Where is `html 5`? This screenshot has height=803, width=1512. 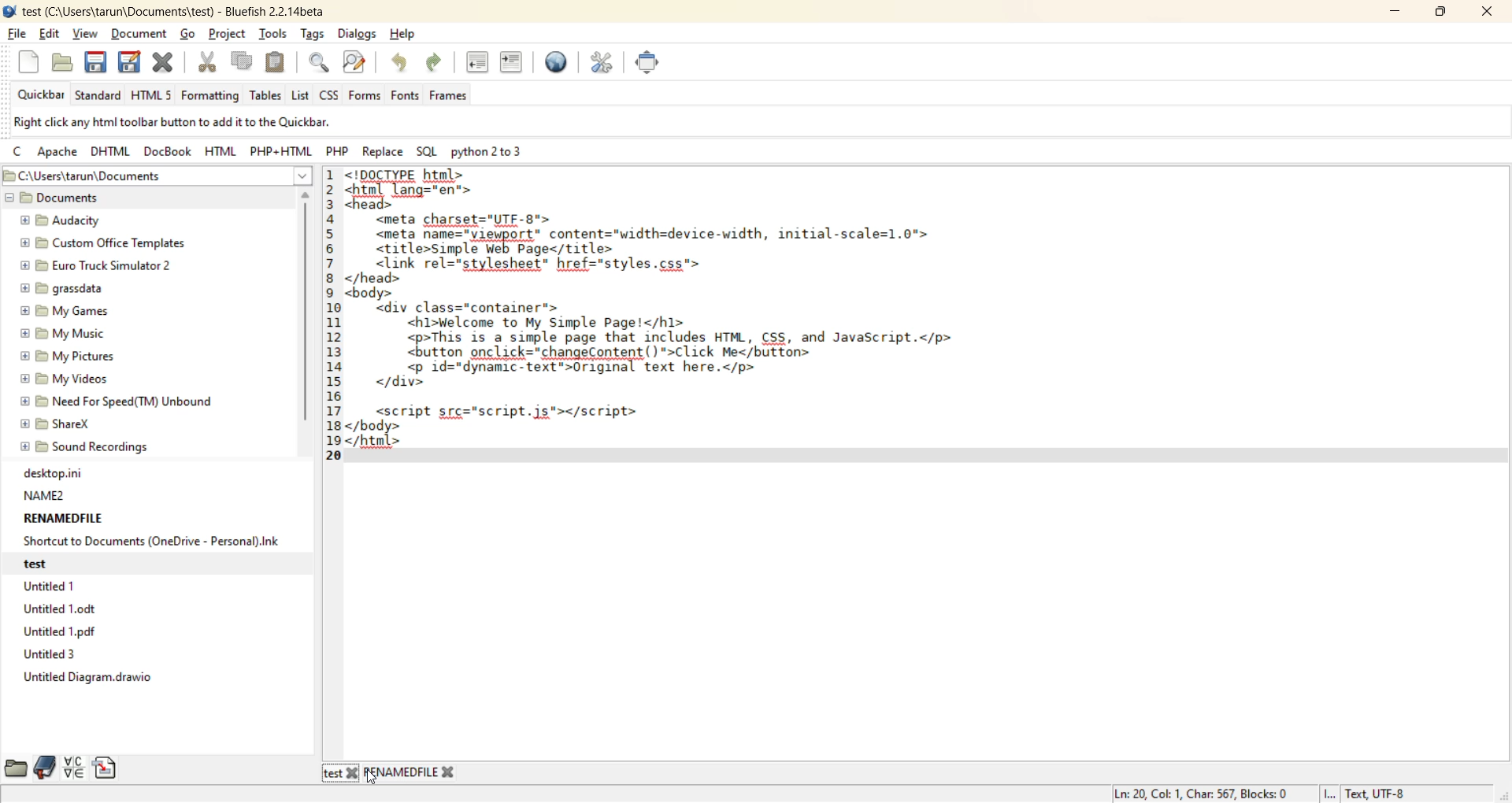
html 5 is located at coordinates (154, 95).